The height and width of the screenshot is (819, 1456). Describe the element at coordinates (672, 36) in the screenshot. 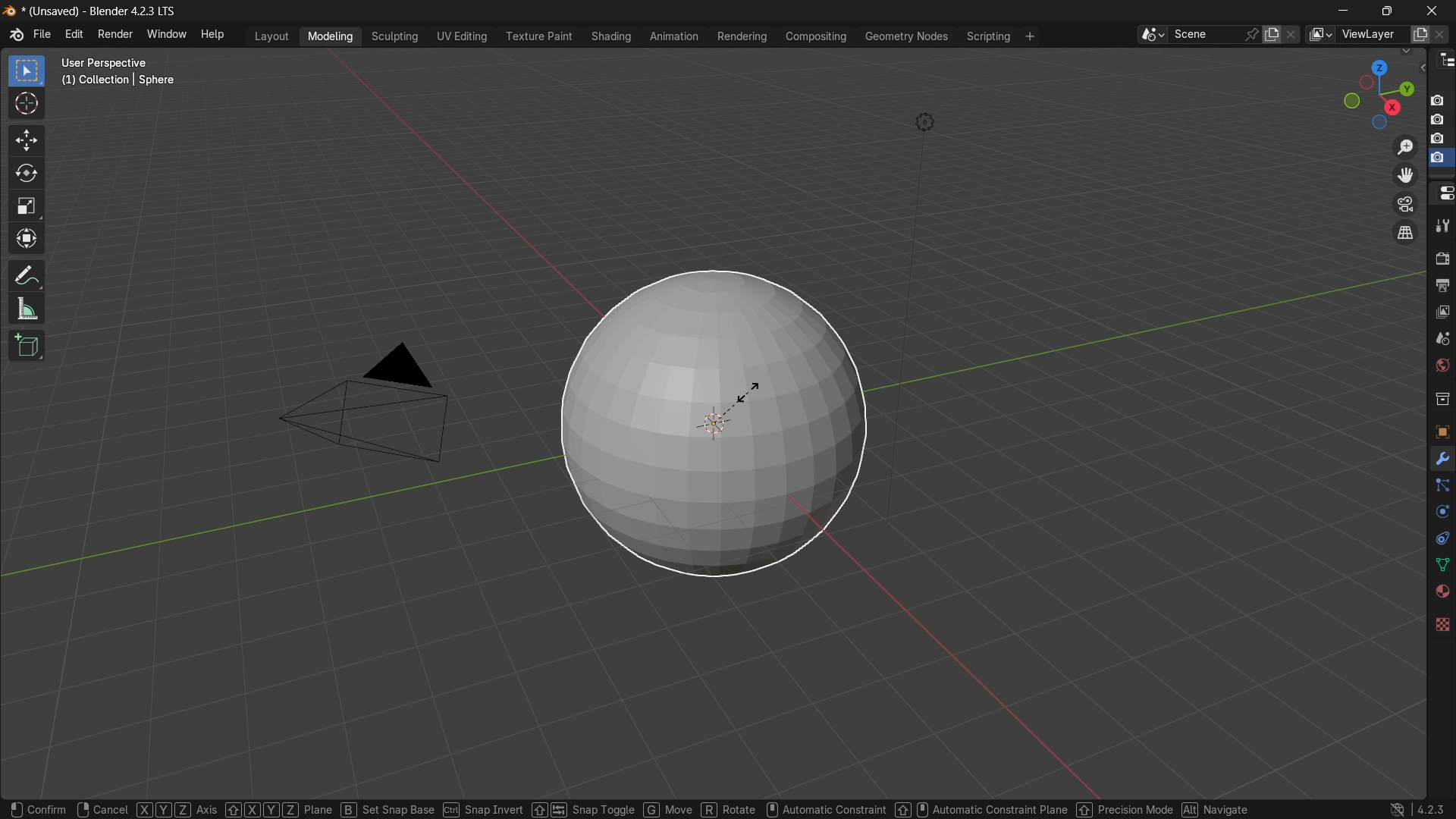

I see `animation menu` at that location.